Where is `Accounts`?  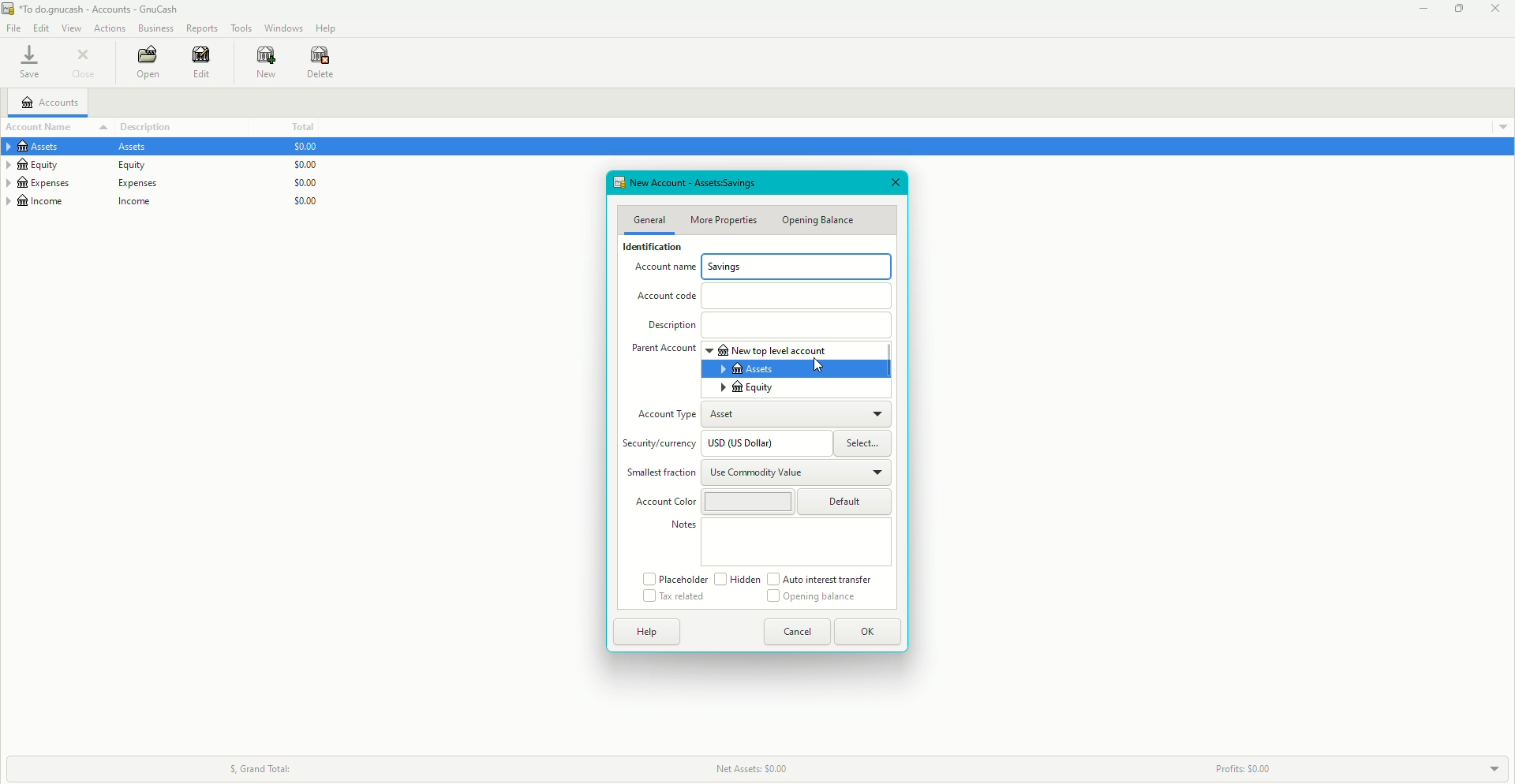 Accounts is located at coordinates (54, 104).